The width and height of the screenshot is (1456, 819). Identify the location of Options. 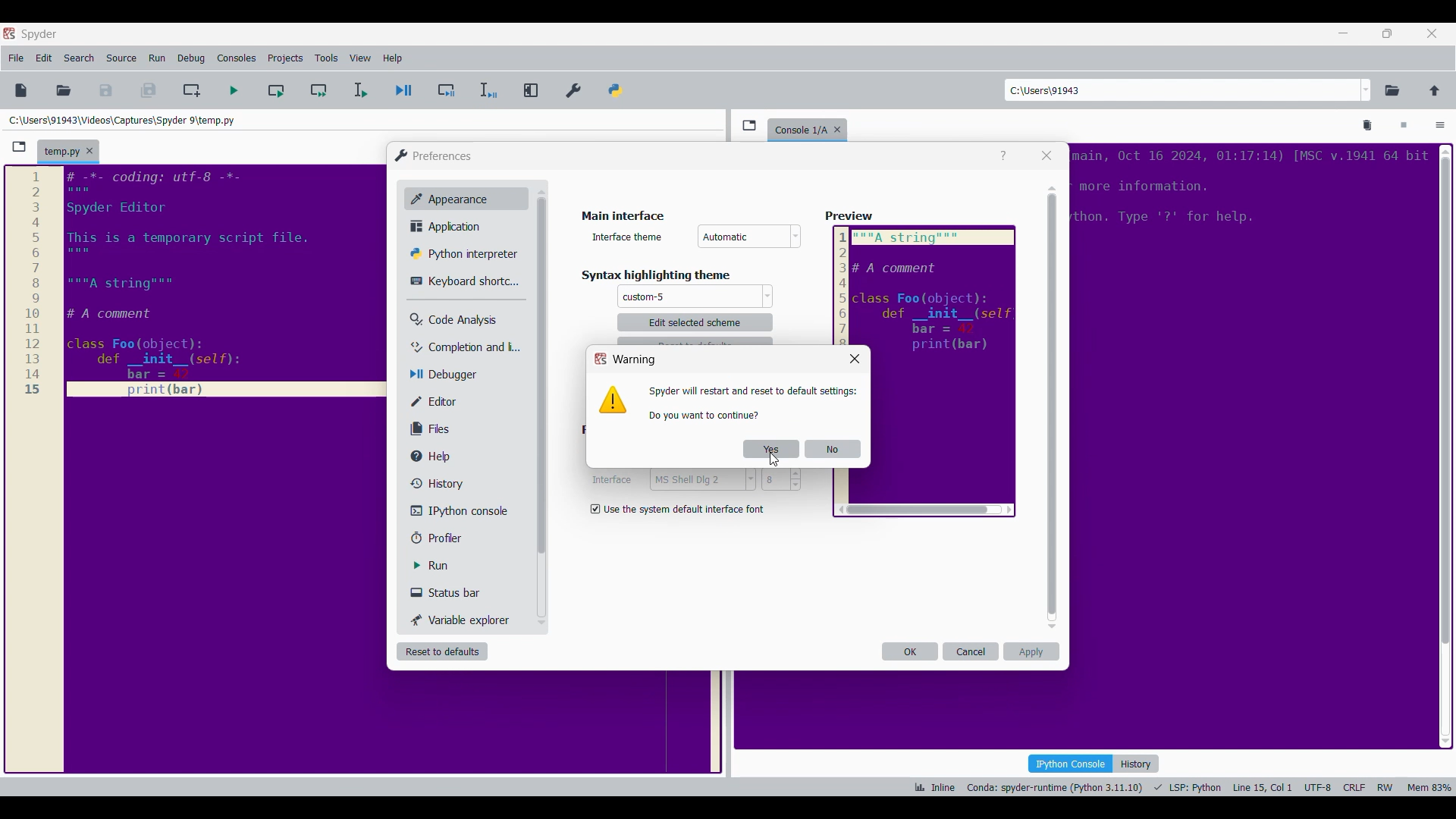
(1441, 127).